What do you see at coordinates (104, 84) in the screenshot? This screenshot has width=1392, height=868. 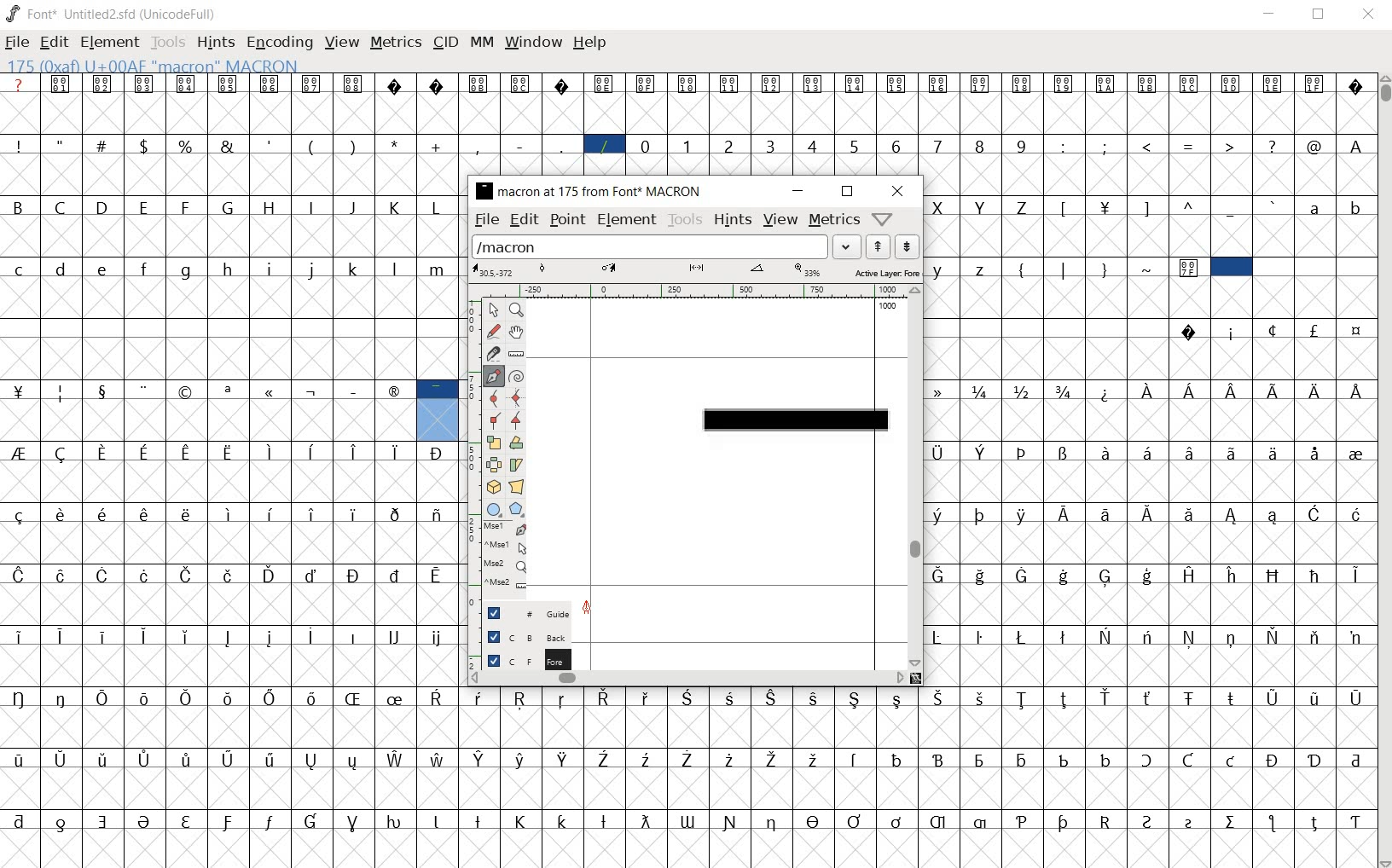 I see `Symbol` at bounding box center [104, 84].